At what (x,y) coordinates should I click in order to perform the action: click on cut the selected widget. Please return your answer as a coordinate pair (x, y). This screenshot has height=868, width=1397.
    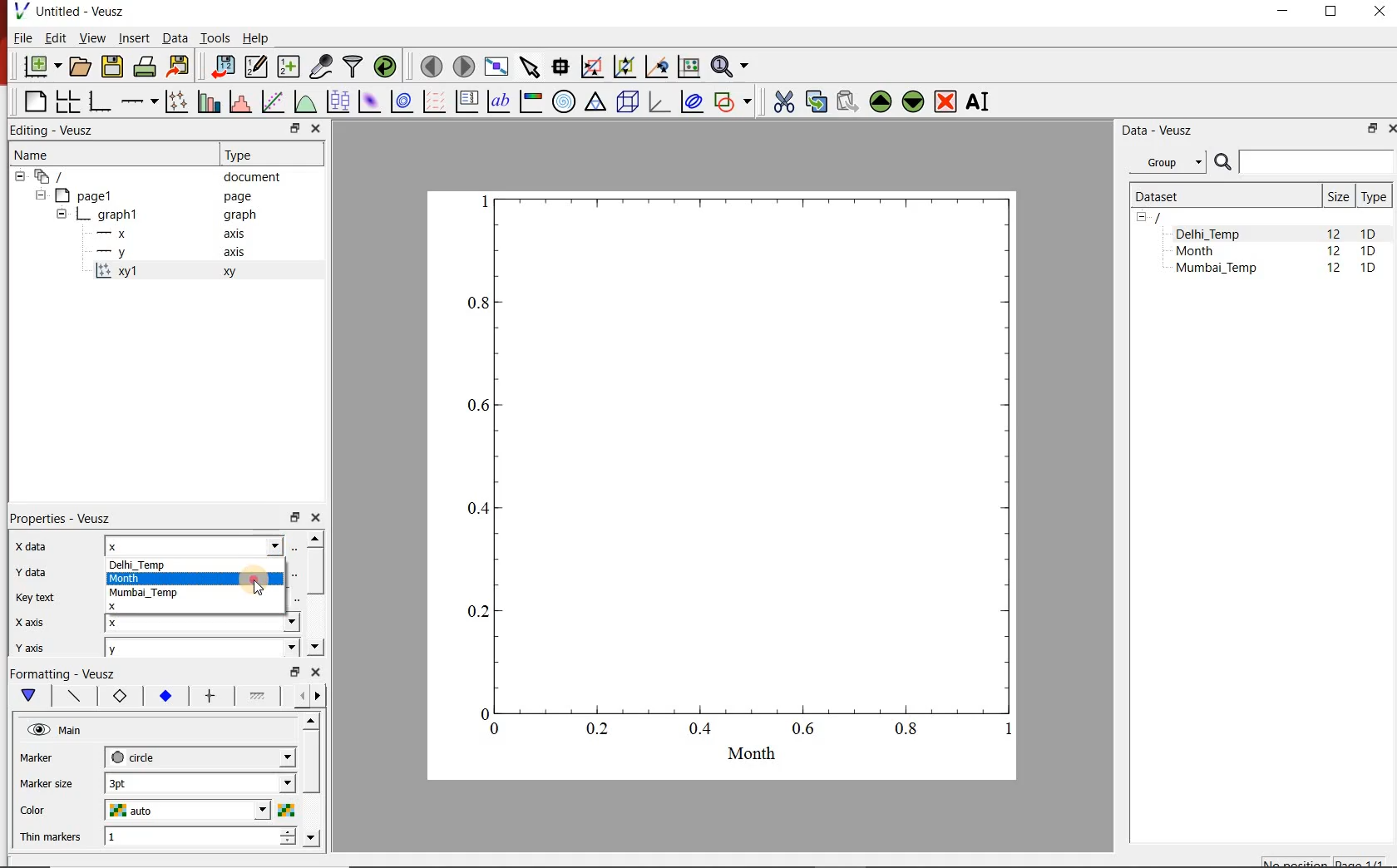
    Looking at the image, I should click on (783, 101).